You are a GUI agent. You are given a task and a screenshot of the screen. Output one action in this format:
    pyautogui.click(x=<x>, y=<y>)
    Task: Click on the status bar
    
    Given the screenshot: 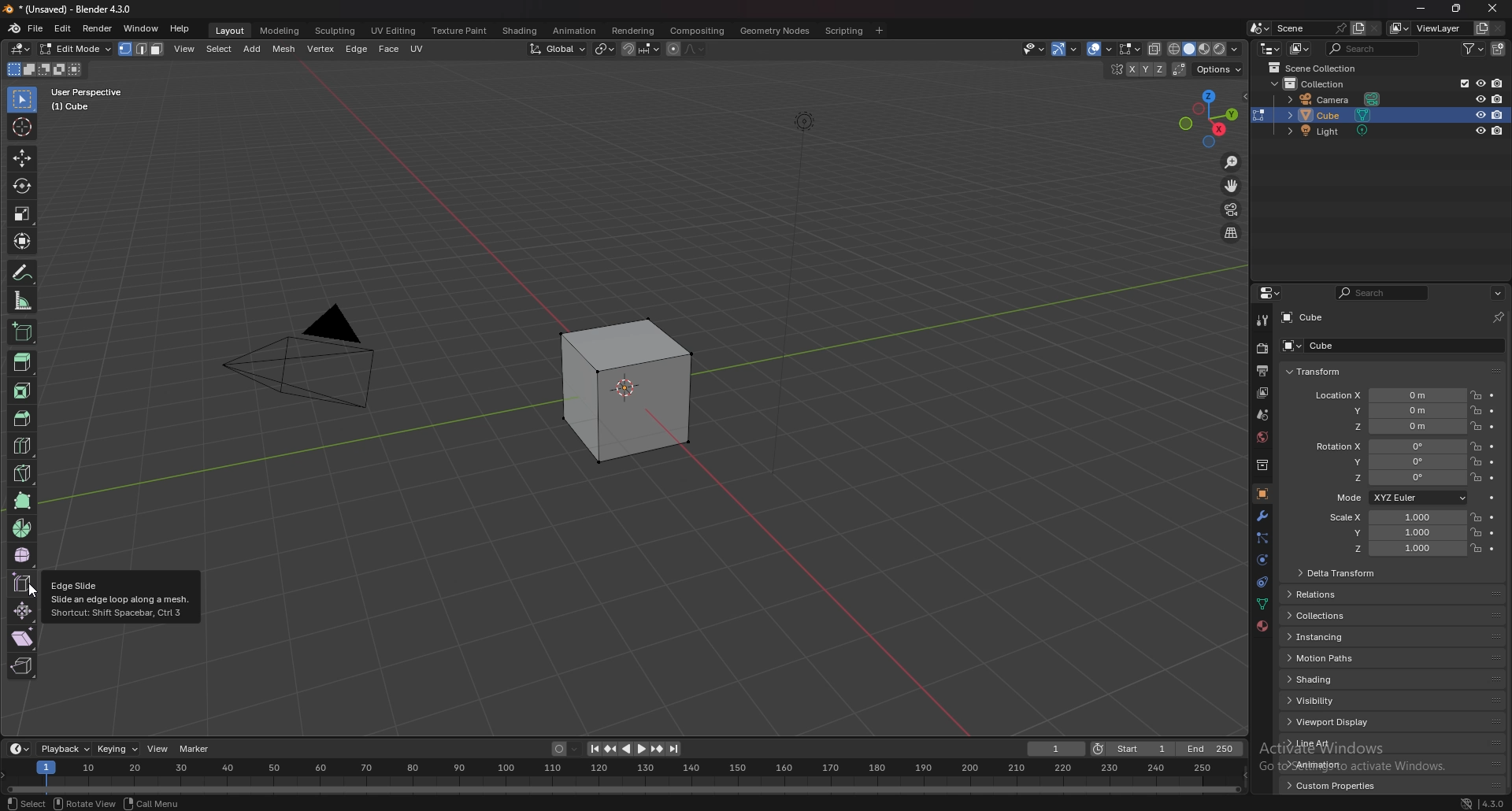 What is the action you would take?
    pyautogui.click(x=143, y=803)
    